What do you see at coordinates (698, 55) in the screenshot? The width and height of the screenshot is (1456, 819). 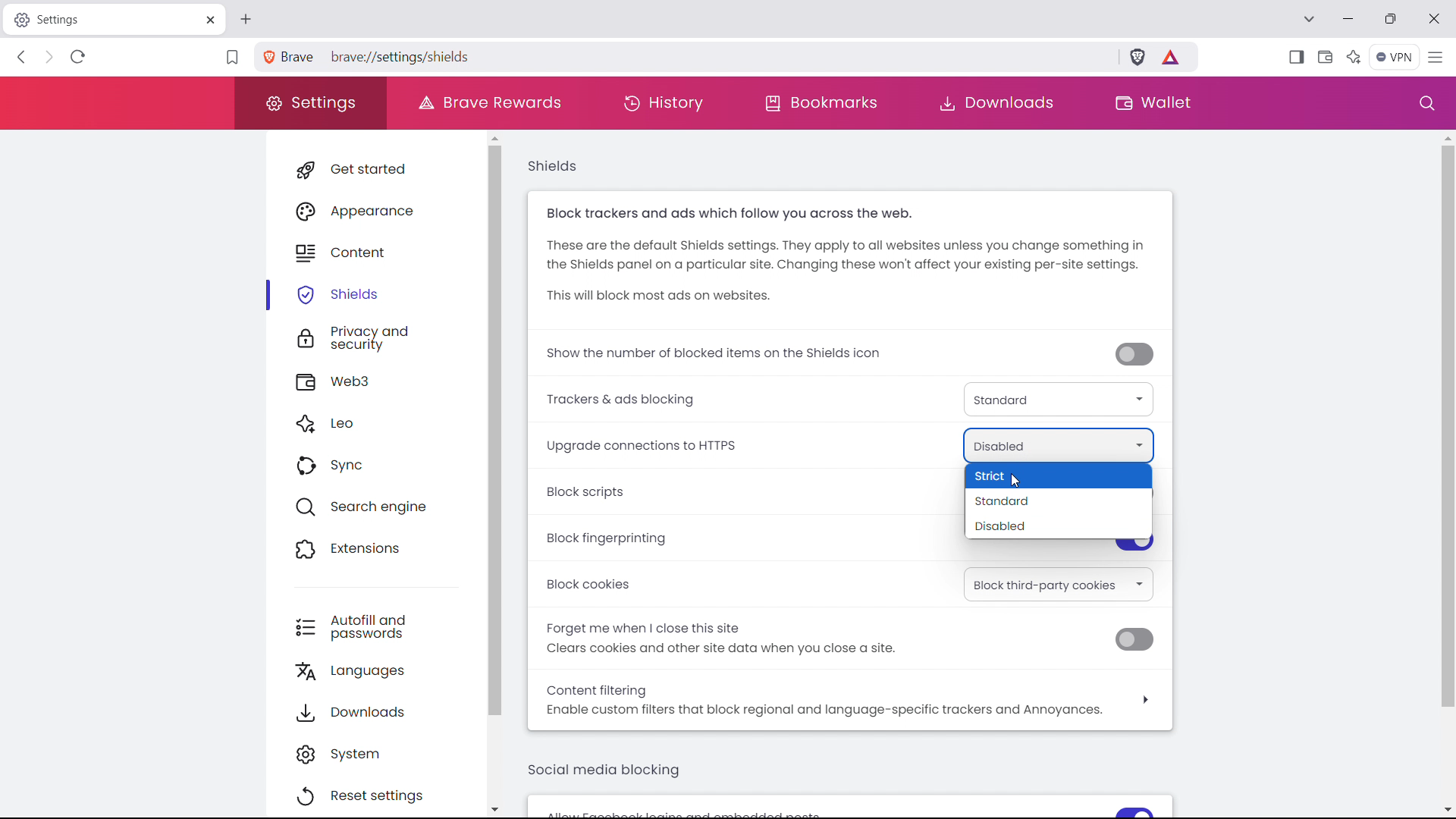 I see `search brave or type a URL` at bounding box center [698, 55].